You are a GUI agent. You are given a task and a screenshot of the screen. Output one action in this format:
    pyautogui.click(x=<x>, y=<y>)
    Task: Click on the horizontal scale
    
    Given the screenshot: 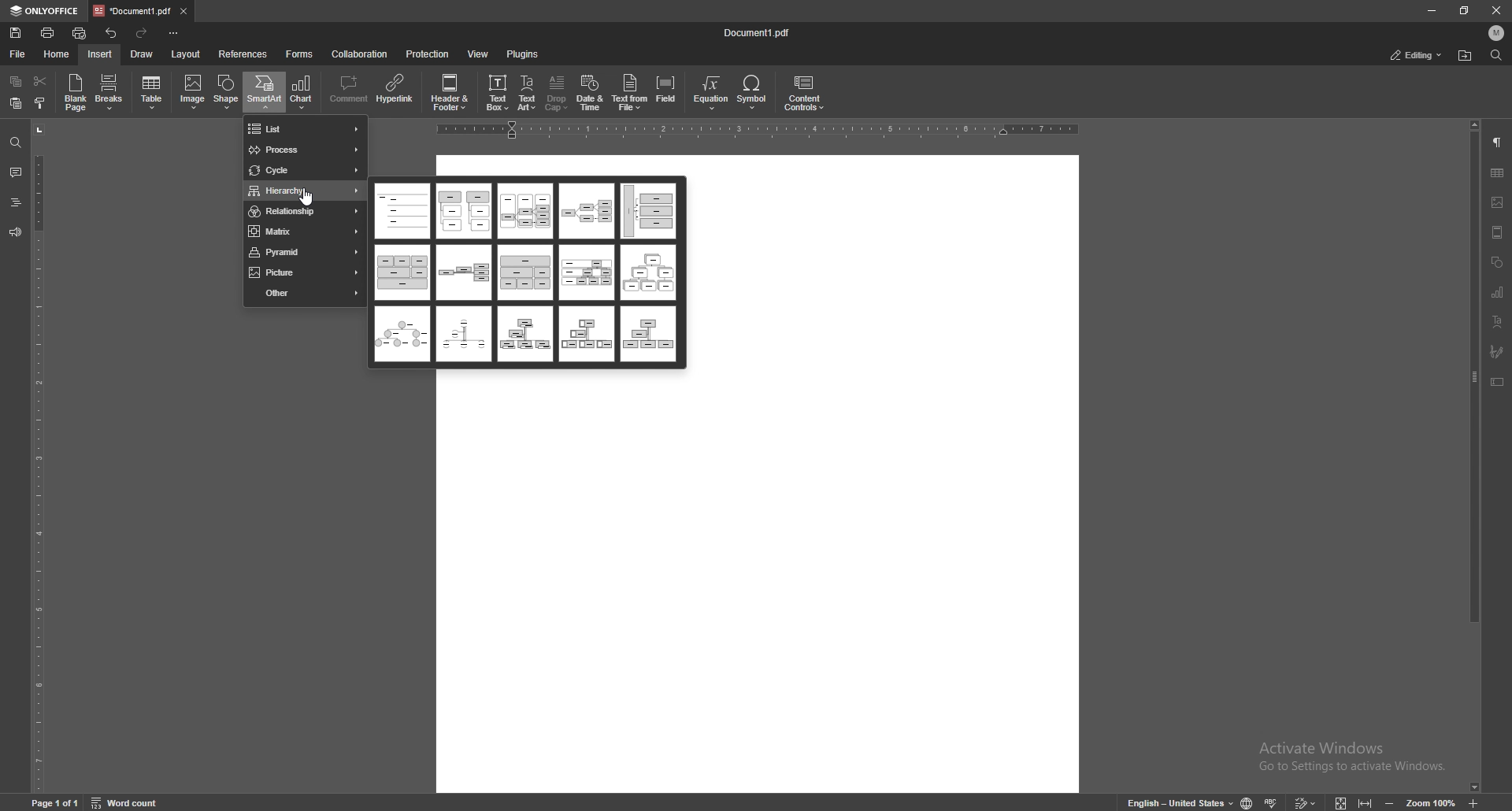 What is the action you would take?
    pyautogui.click(x=754, y=131)
    